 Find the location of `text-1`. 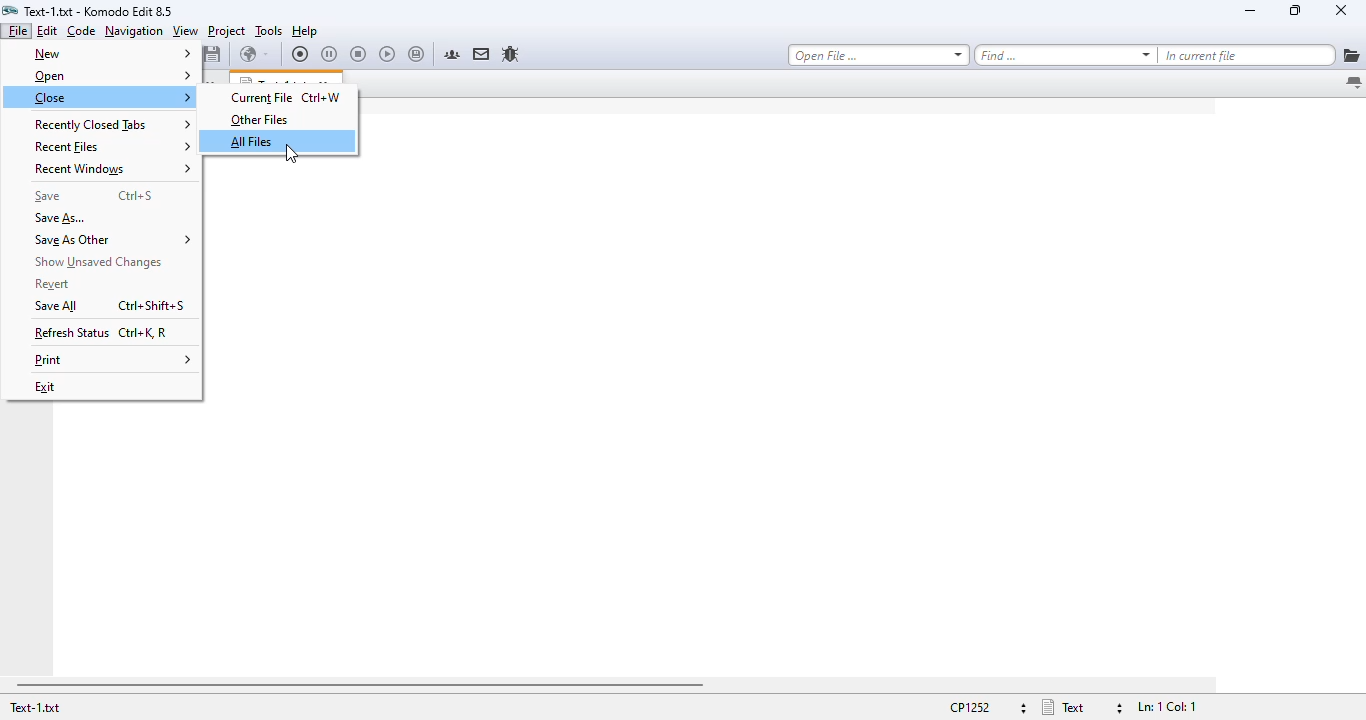

text-1 is located at coordinates (99, 11).